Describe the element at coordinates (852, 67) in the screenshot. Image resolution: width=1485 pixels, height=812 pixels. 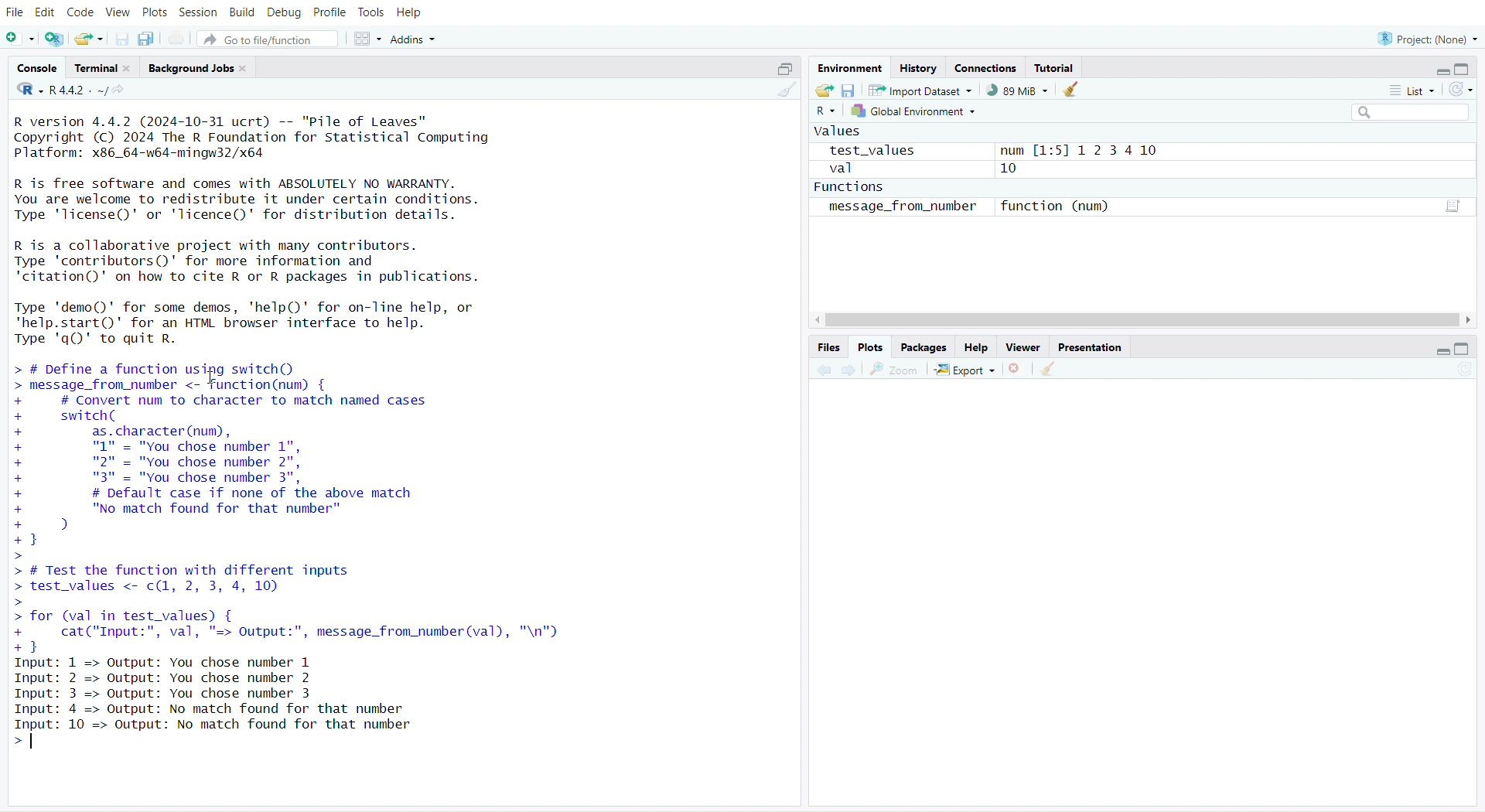
I see `Environment` at that location.